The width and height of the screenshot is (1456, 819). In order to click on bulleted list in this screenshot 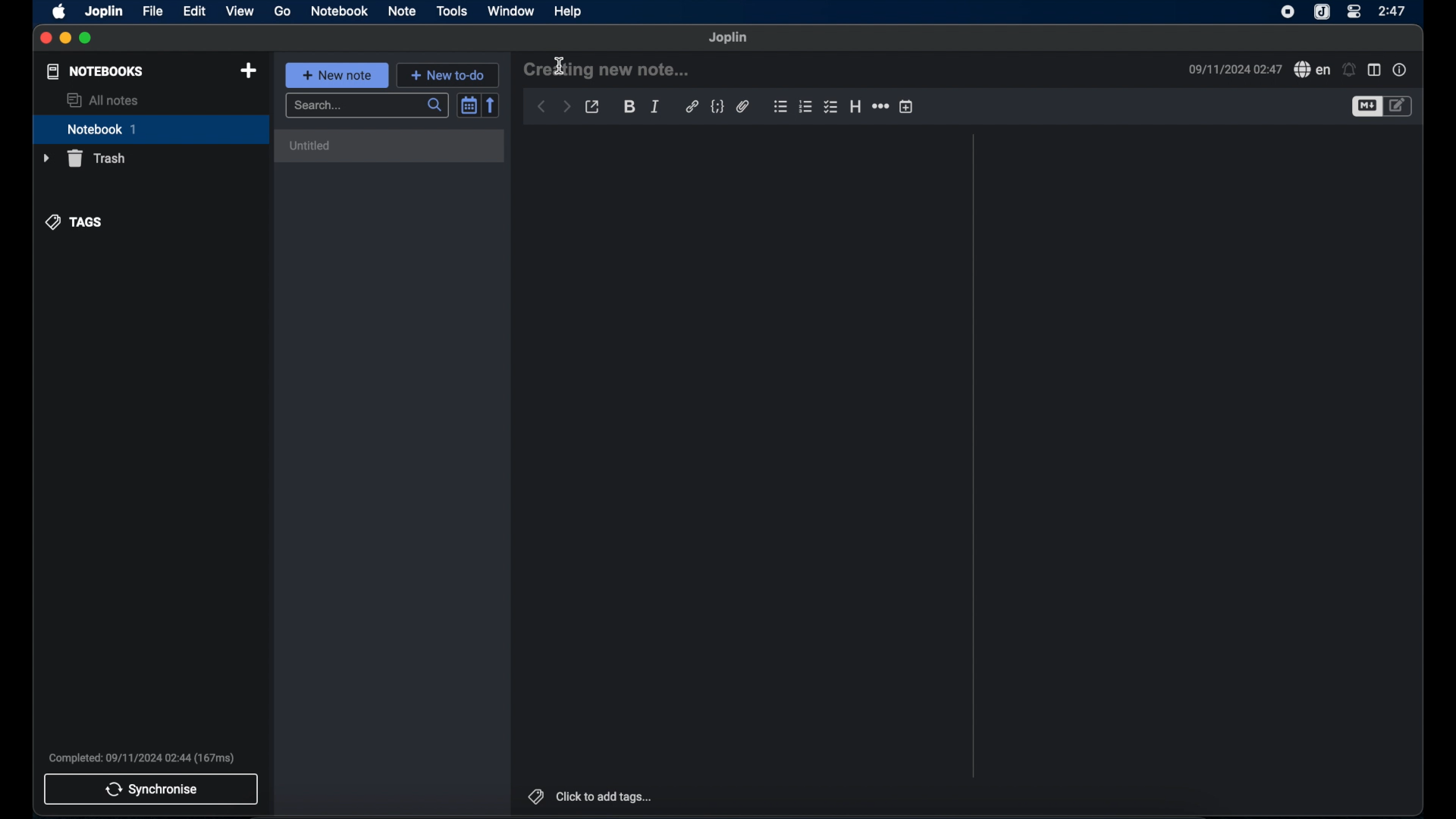, I will do `click(780, 106)`.